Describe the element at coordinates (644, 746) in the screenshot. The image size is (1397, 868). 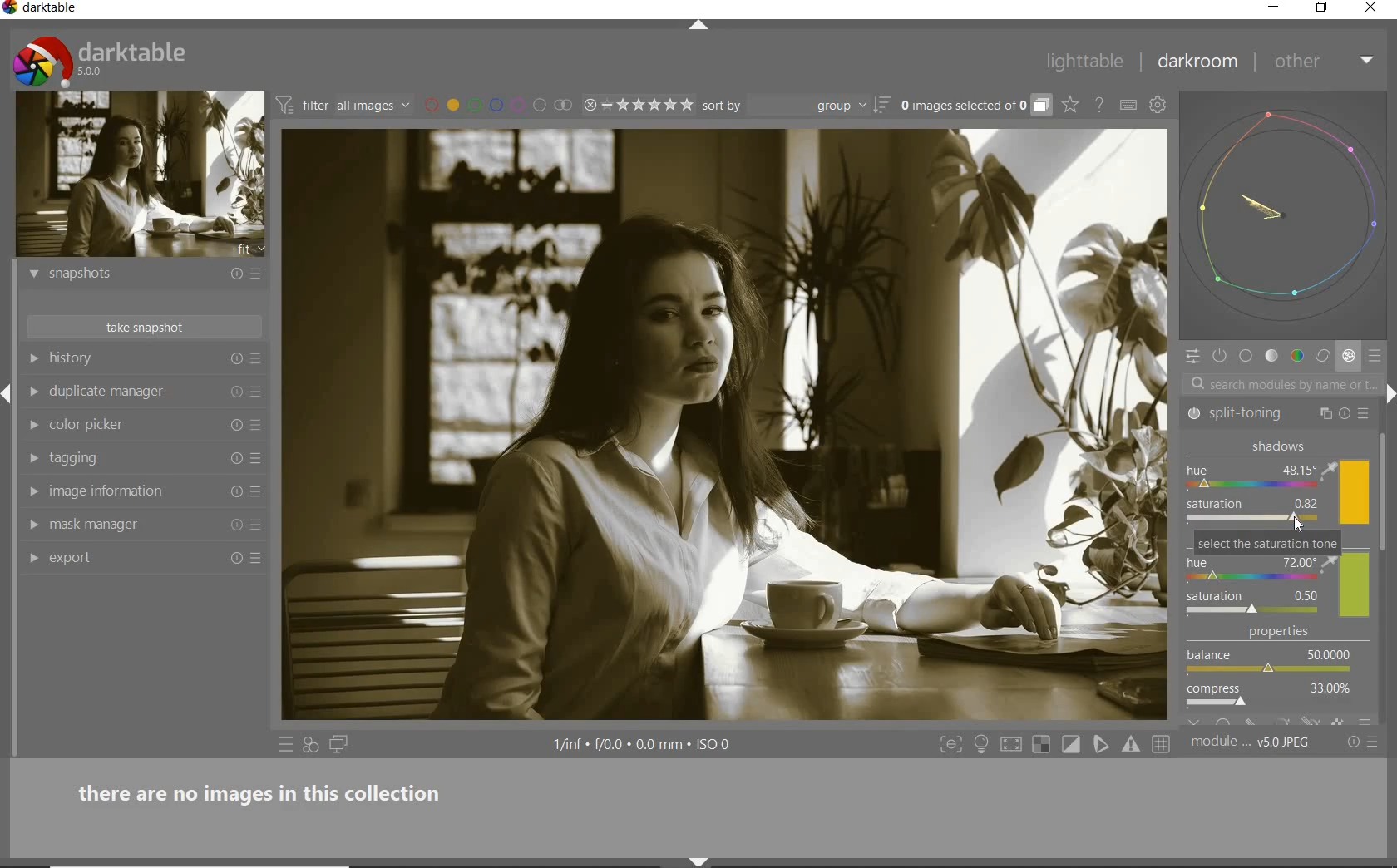
I see `display information` at that location.